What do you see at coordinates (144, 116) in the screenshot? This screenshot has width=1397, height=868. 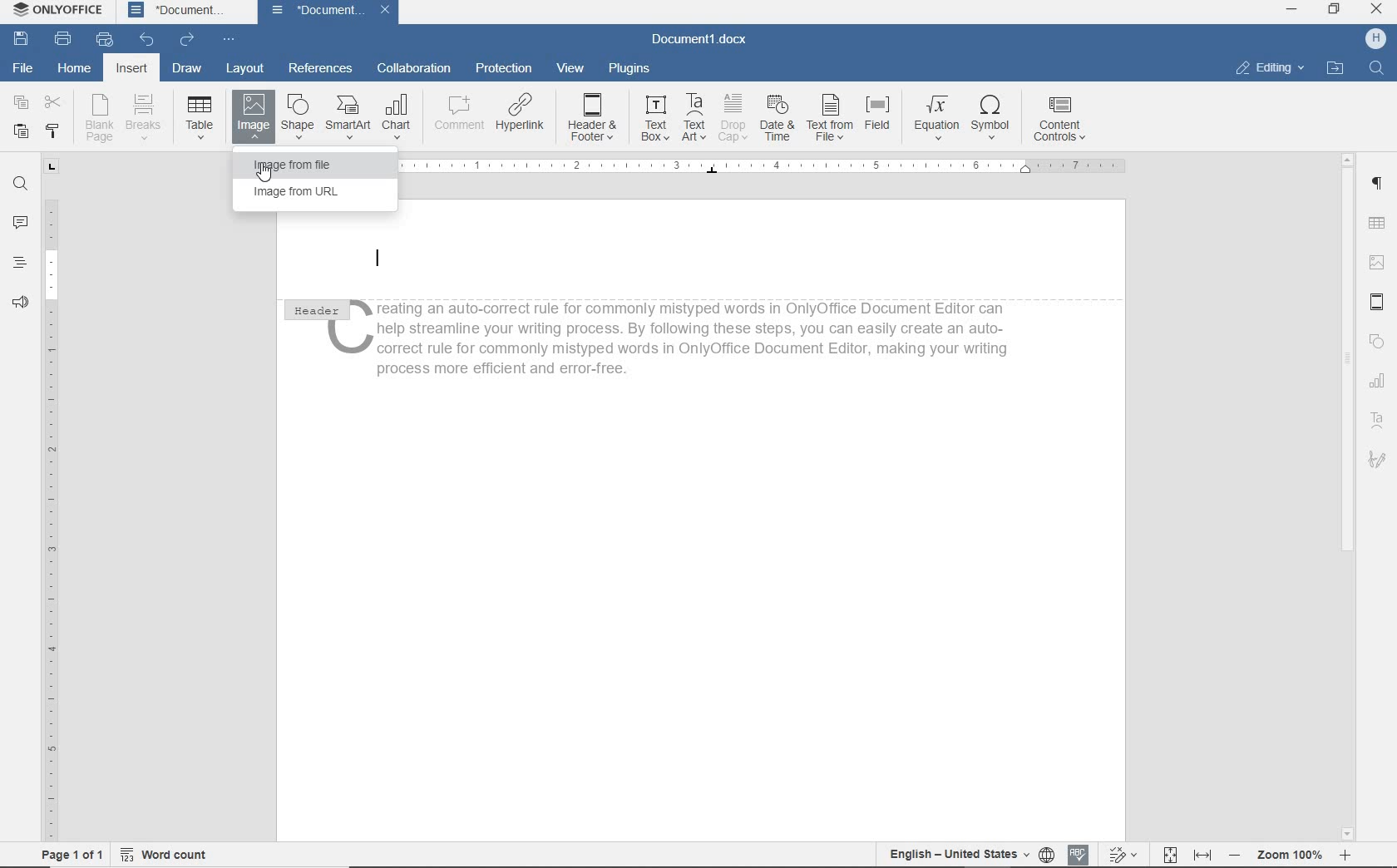 I see `BREAKS` at bounding box center [144, 116].